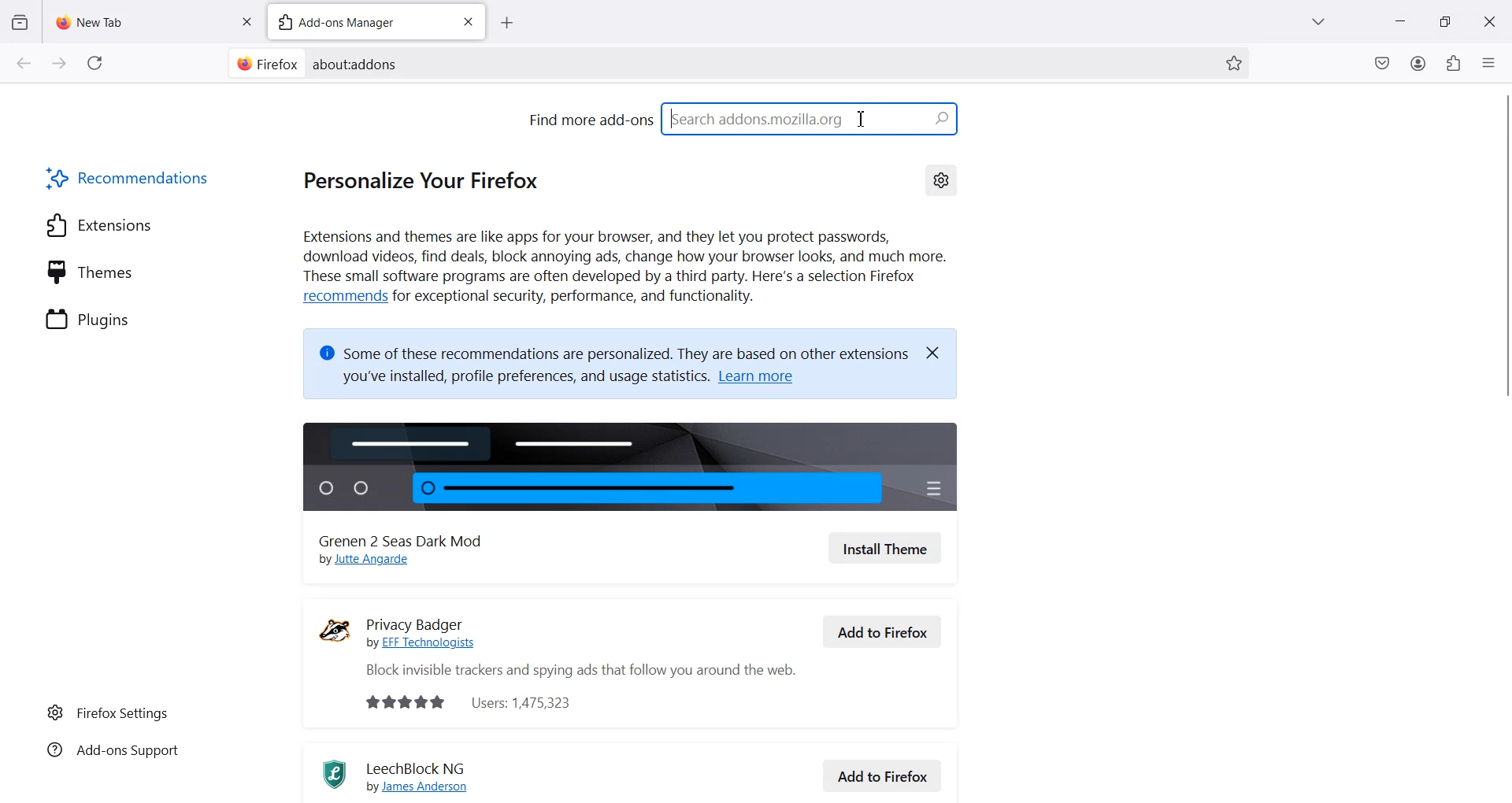 This screenshot has height=803, width=1512. What do you see at coordinates (373, 561) in the screenshot?
I see `by Jutte Angarde` at bounding box center [373, 561].